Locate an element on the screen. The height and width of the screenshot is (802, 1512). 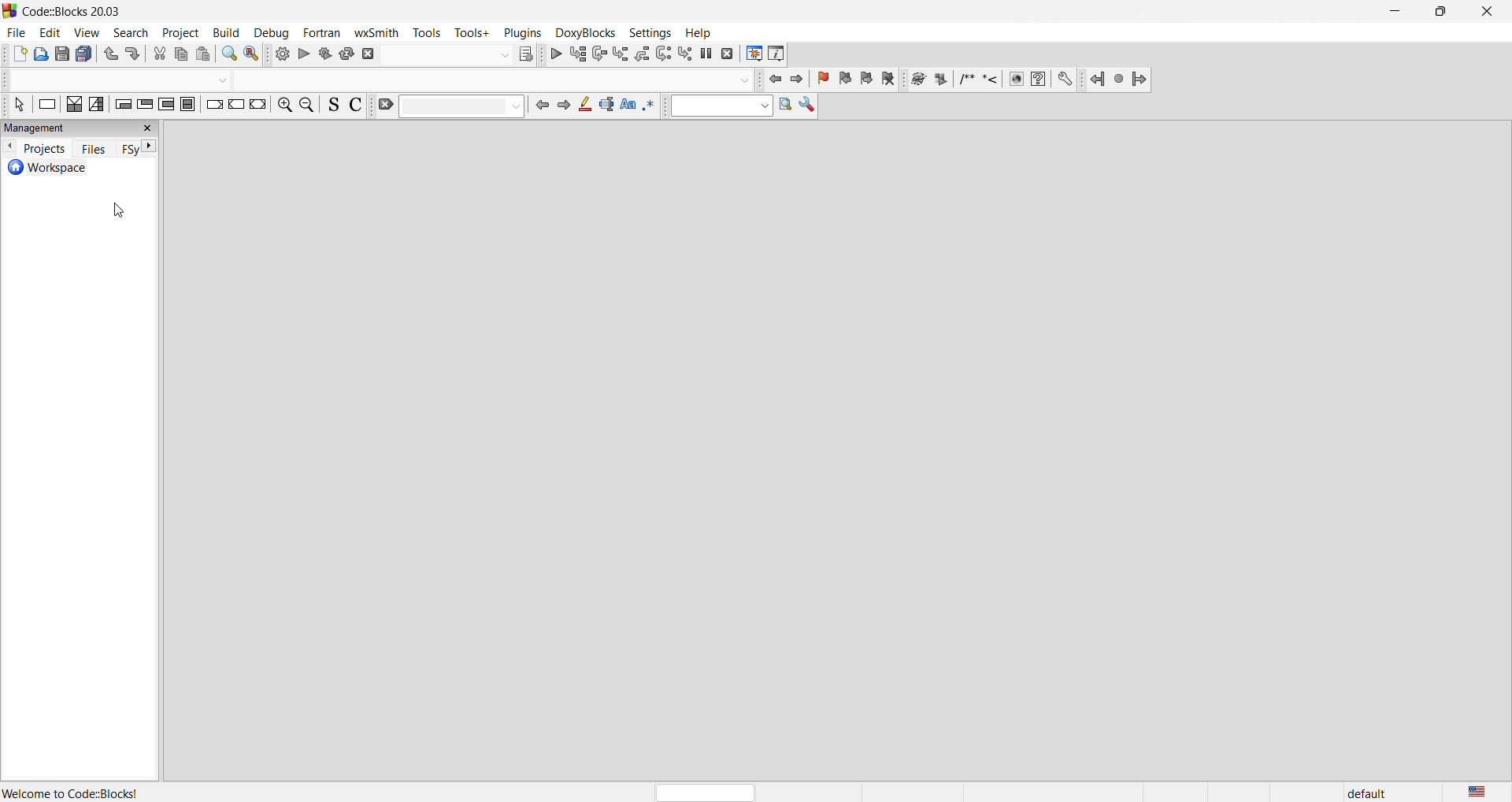
various info is located at coordinates (776, 55).